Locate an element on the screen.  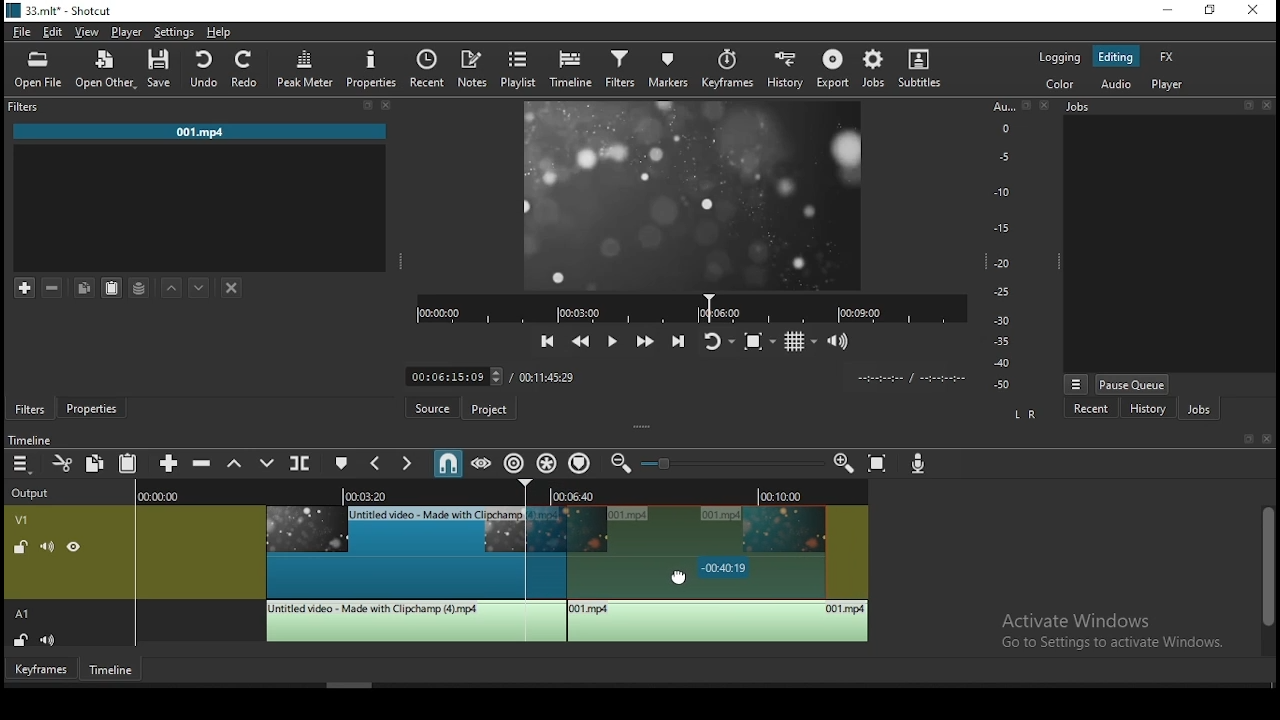
video track is located at coordinates (26, 519).